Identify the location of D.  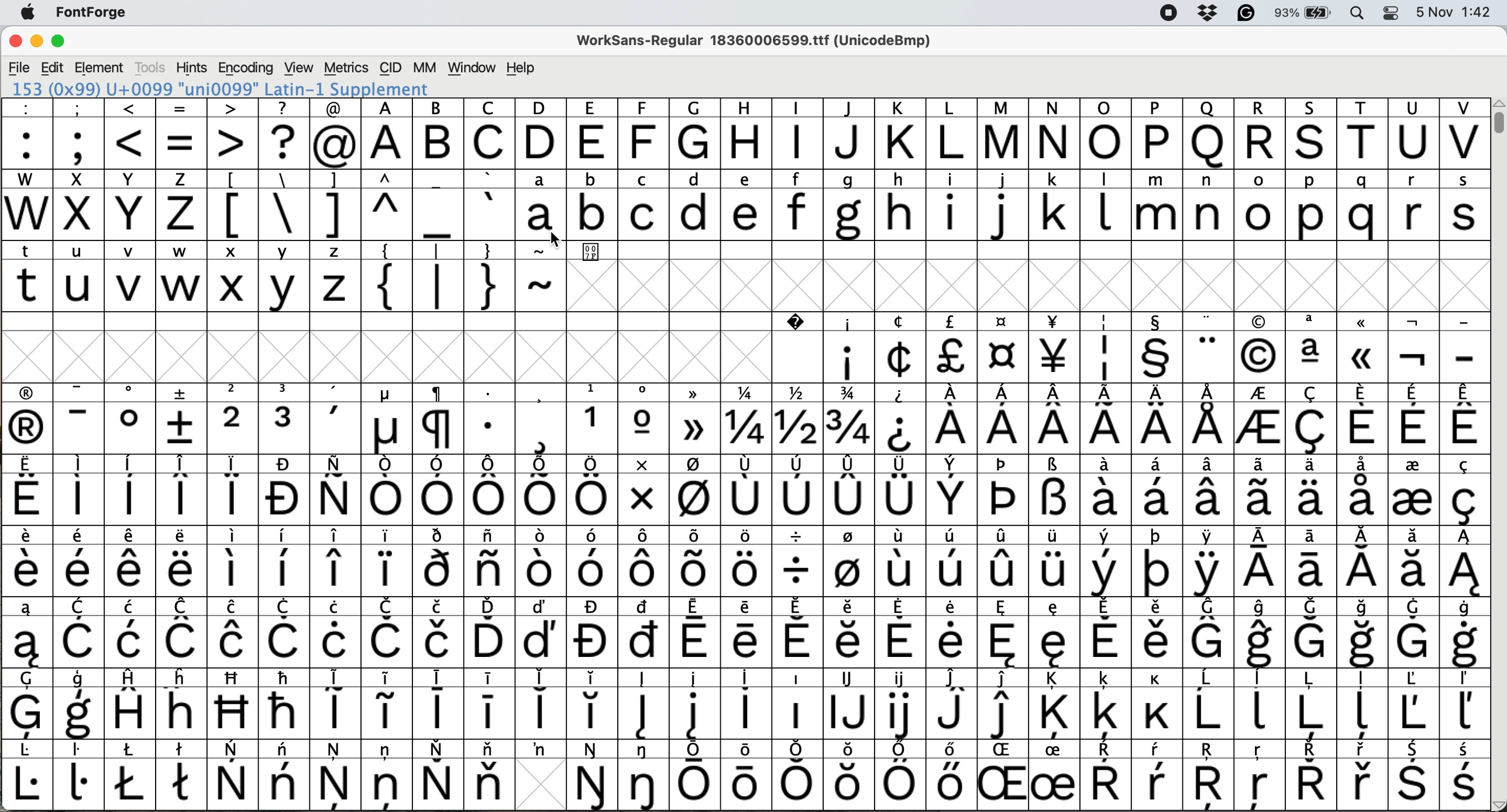
(541, 133).